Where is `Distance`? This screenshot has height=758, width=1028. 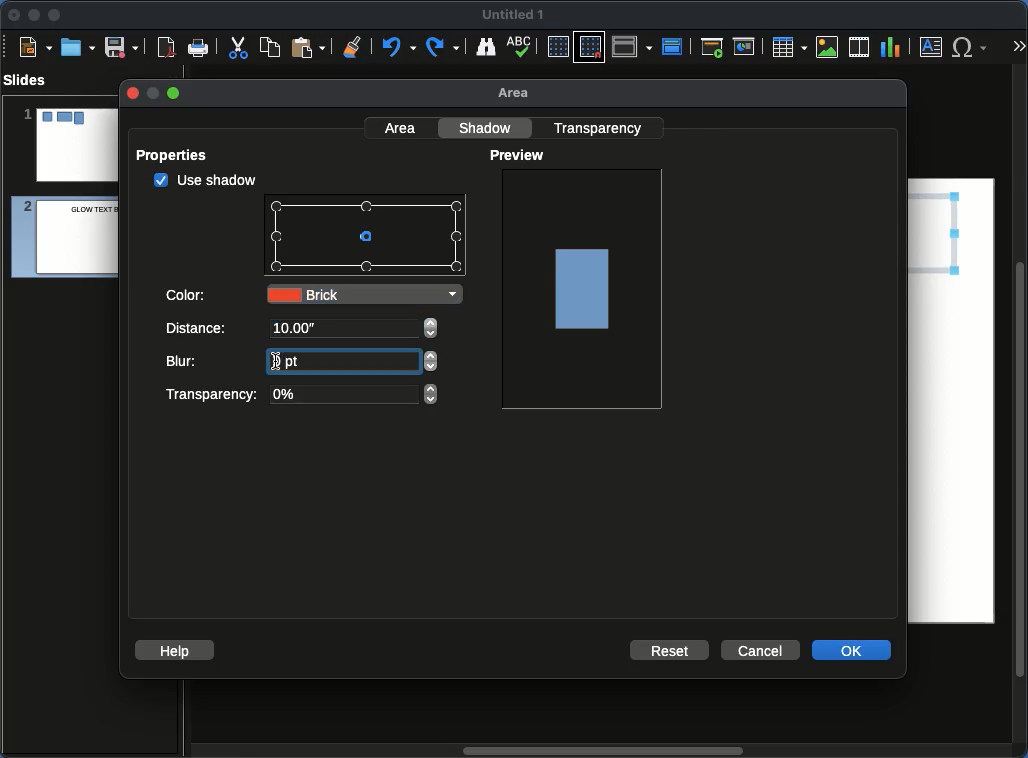
Distance is located at coordinates (198, 330).